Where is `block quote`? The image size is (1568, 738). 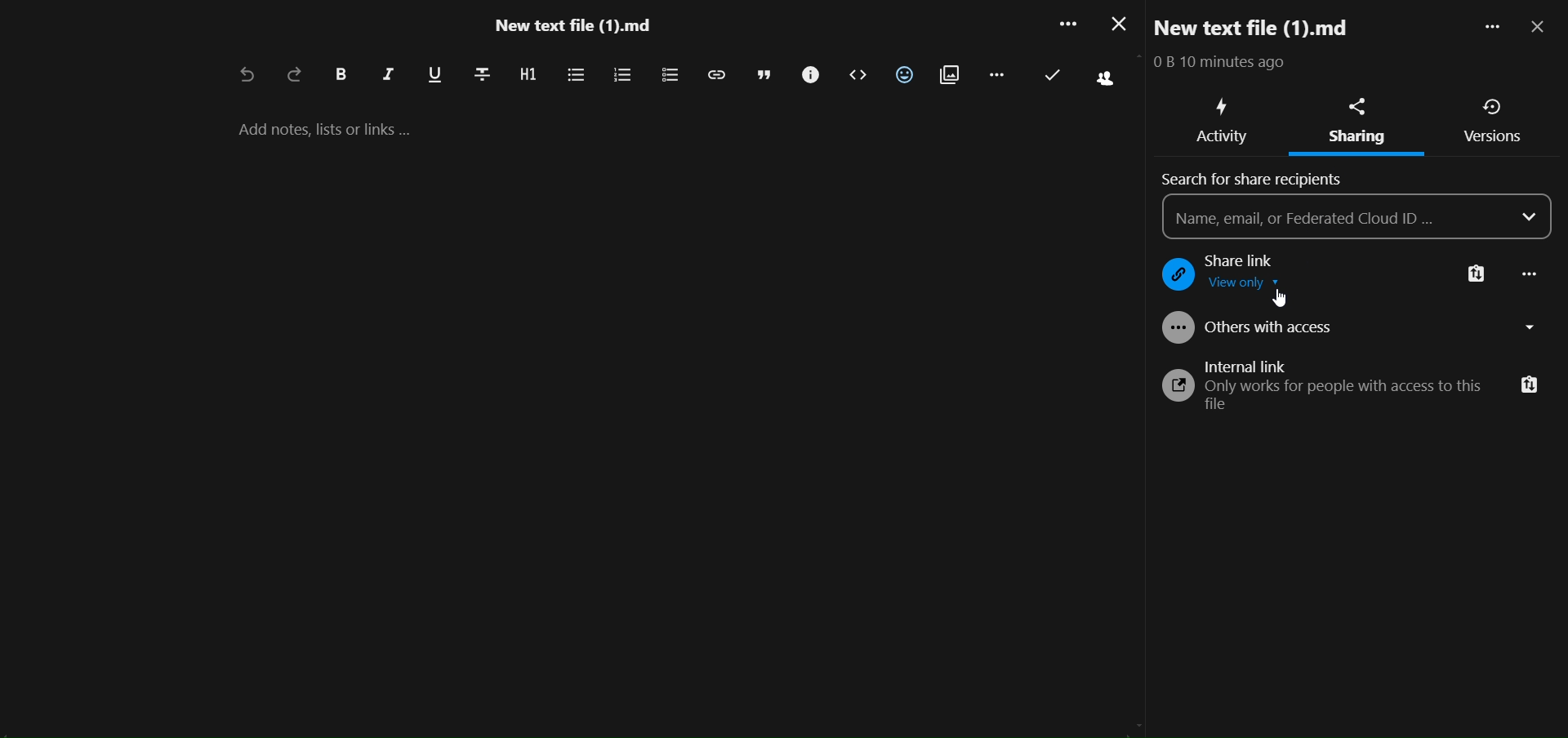 block quote is located at coordinates (765, 75).